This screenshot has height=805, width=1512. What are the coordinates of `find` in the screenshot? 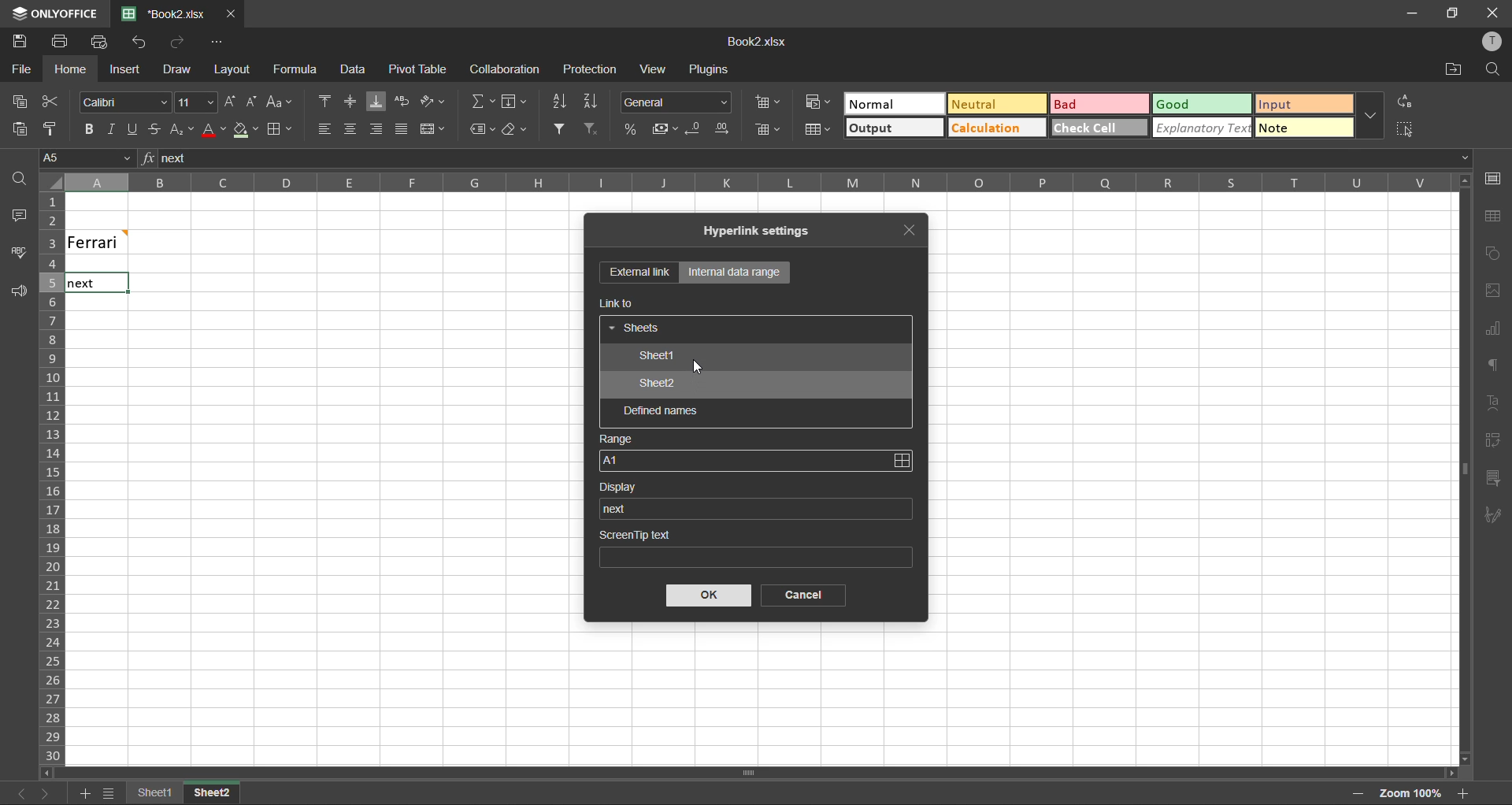 It's located at (24, 182).